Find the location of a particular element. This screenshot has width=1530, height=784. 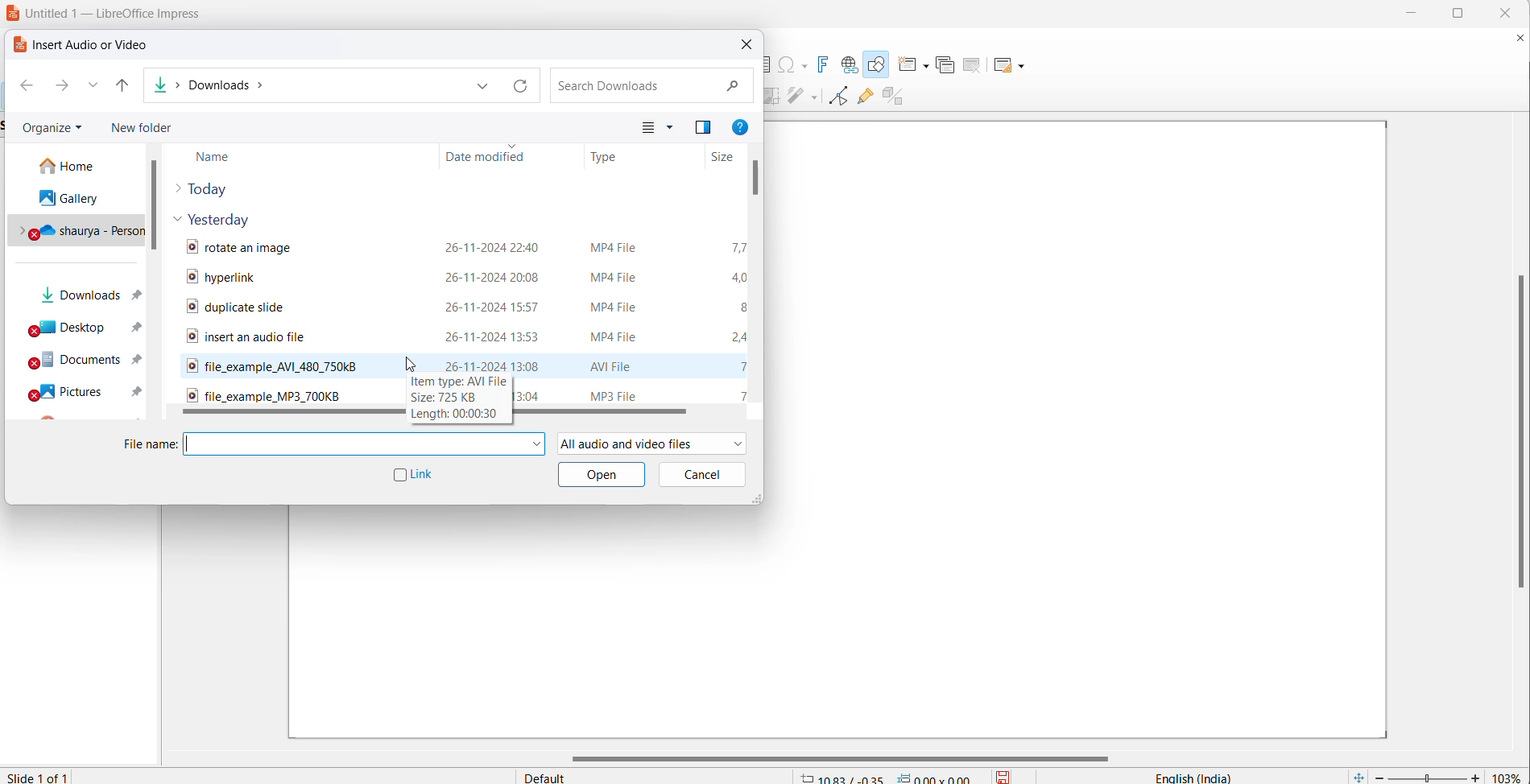

back is located at coordinates (28, 88).